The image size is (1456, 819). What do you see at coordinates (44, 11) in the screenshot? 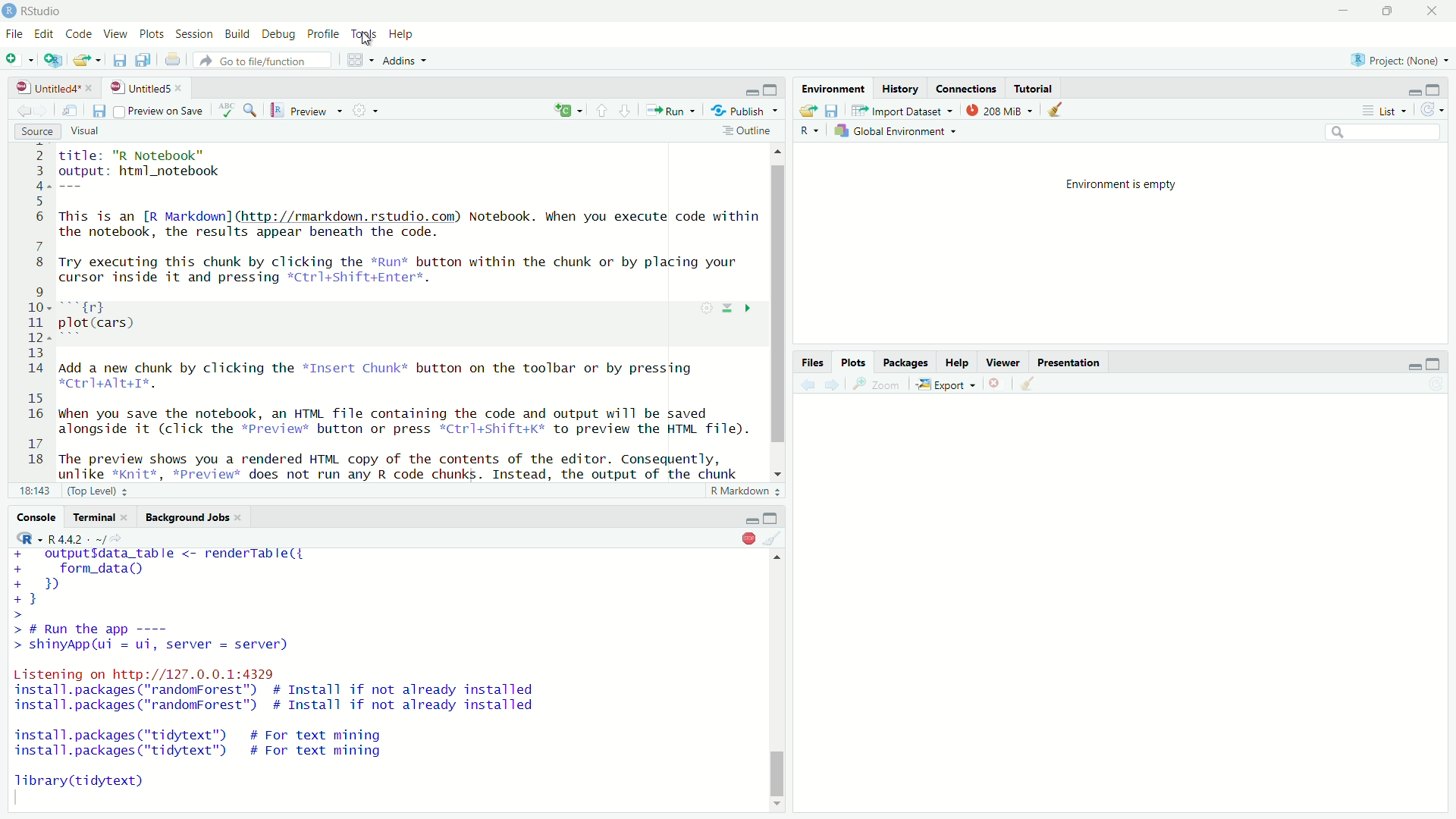
I see `RStudio` at bounding box center [44, 11].